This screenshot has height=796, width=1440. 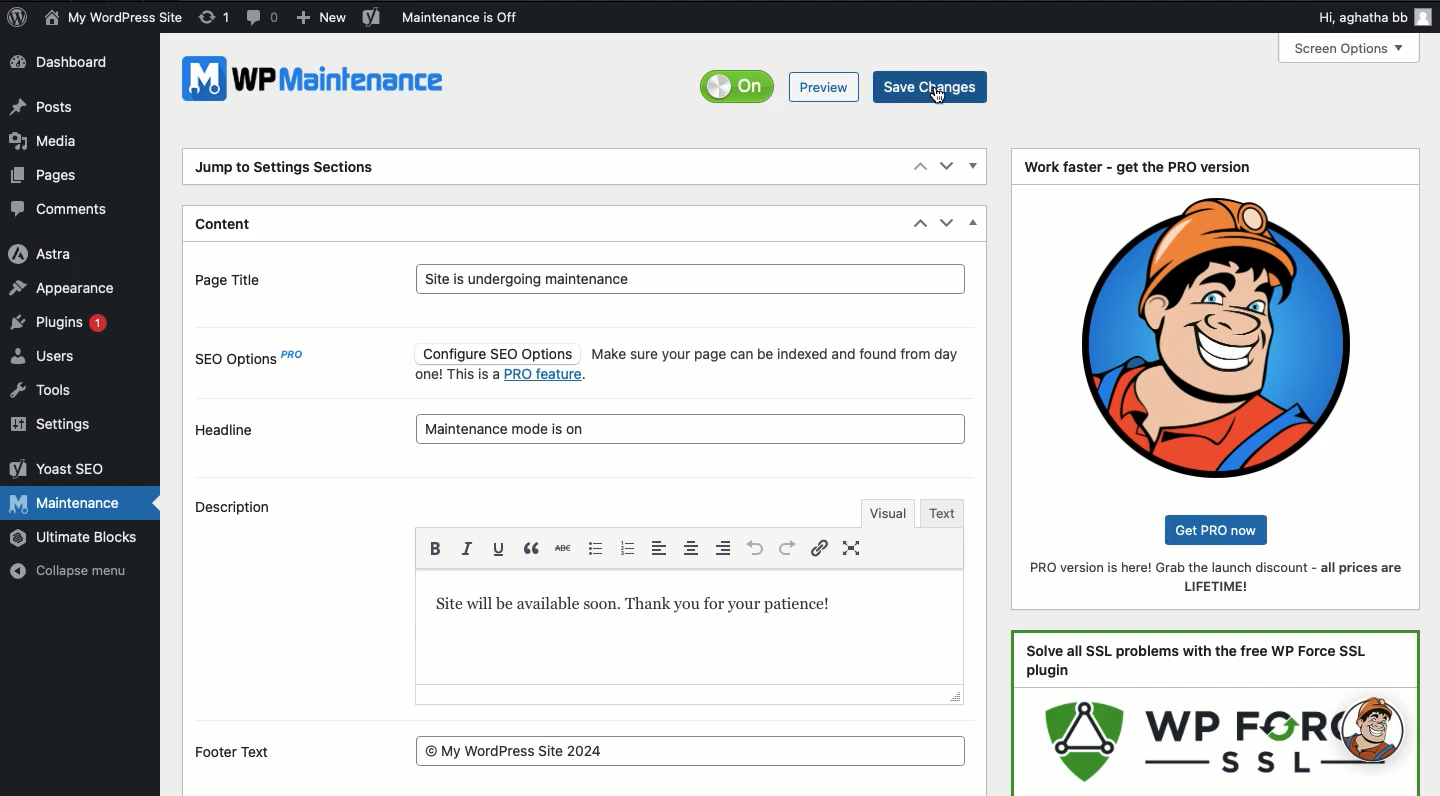 I want to click on Comments, so click(x=63, y=209).